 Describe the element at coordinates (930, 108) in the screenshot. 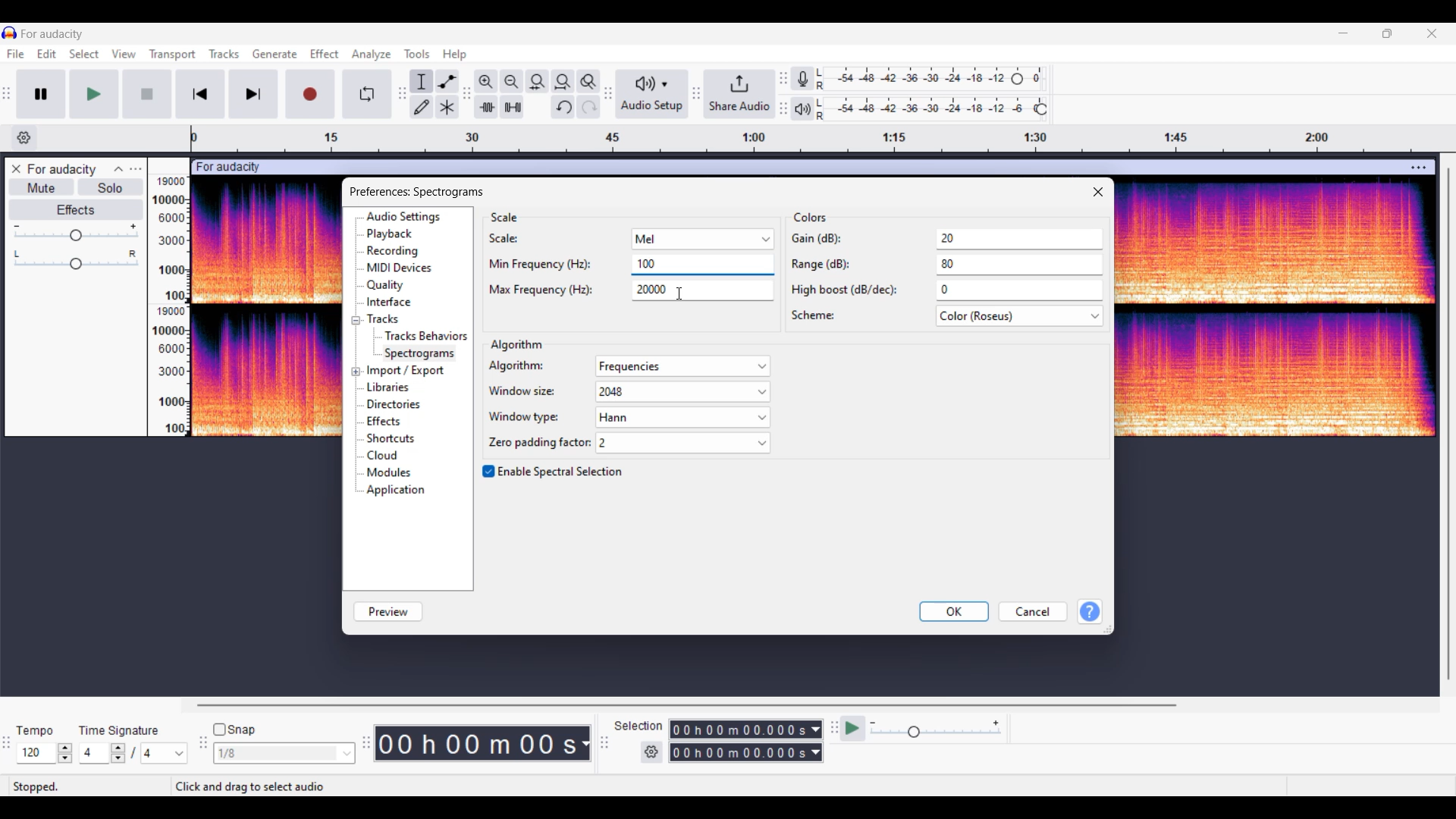

I see `Playback level` at that location.